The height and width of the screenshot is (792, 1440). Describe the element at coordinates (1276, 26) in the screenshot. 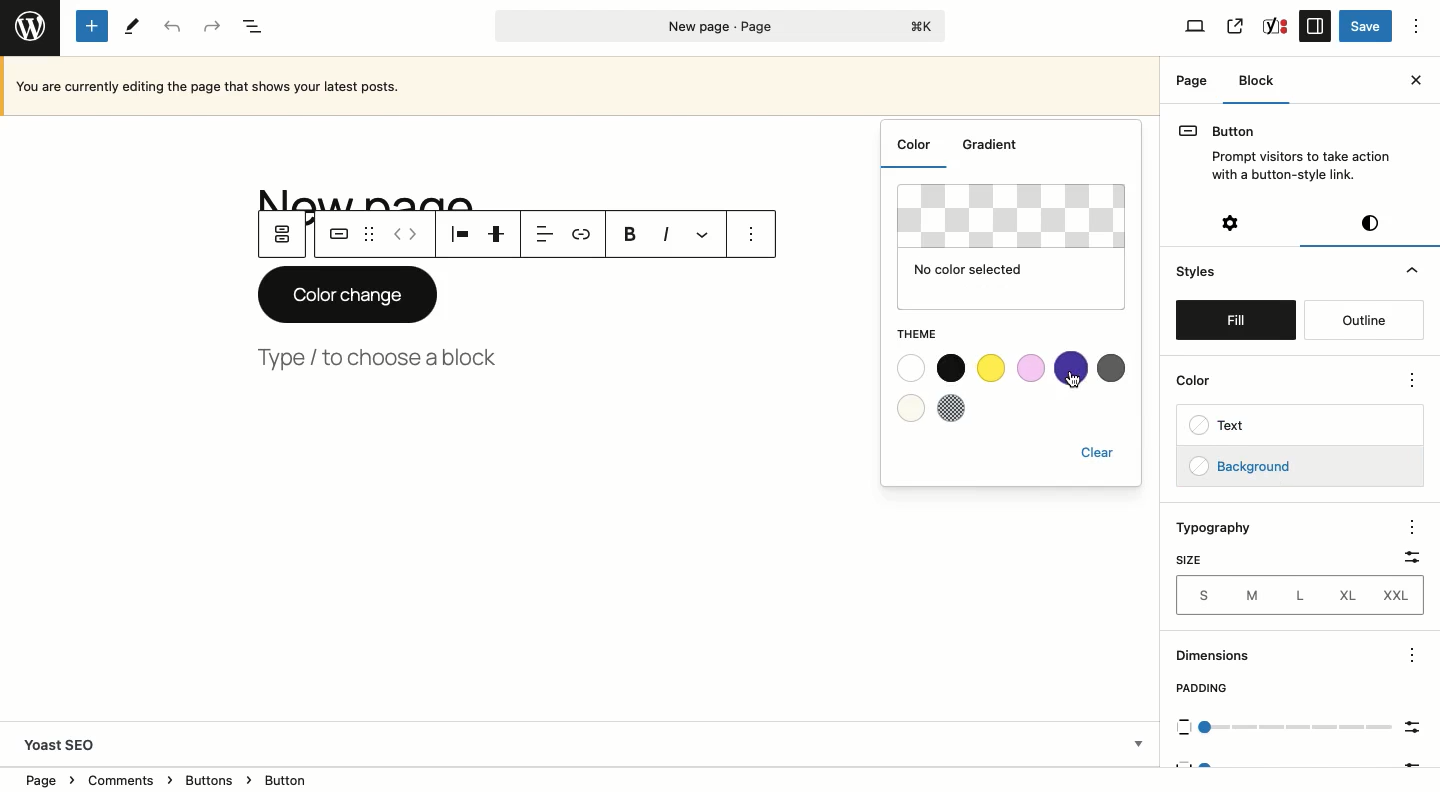

I see `SEO` at that location.